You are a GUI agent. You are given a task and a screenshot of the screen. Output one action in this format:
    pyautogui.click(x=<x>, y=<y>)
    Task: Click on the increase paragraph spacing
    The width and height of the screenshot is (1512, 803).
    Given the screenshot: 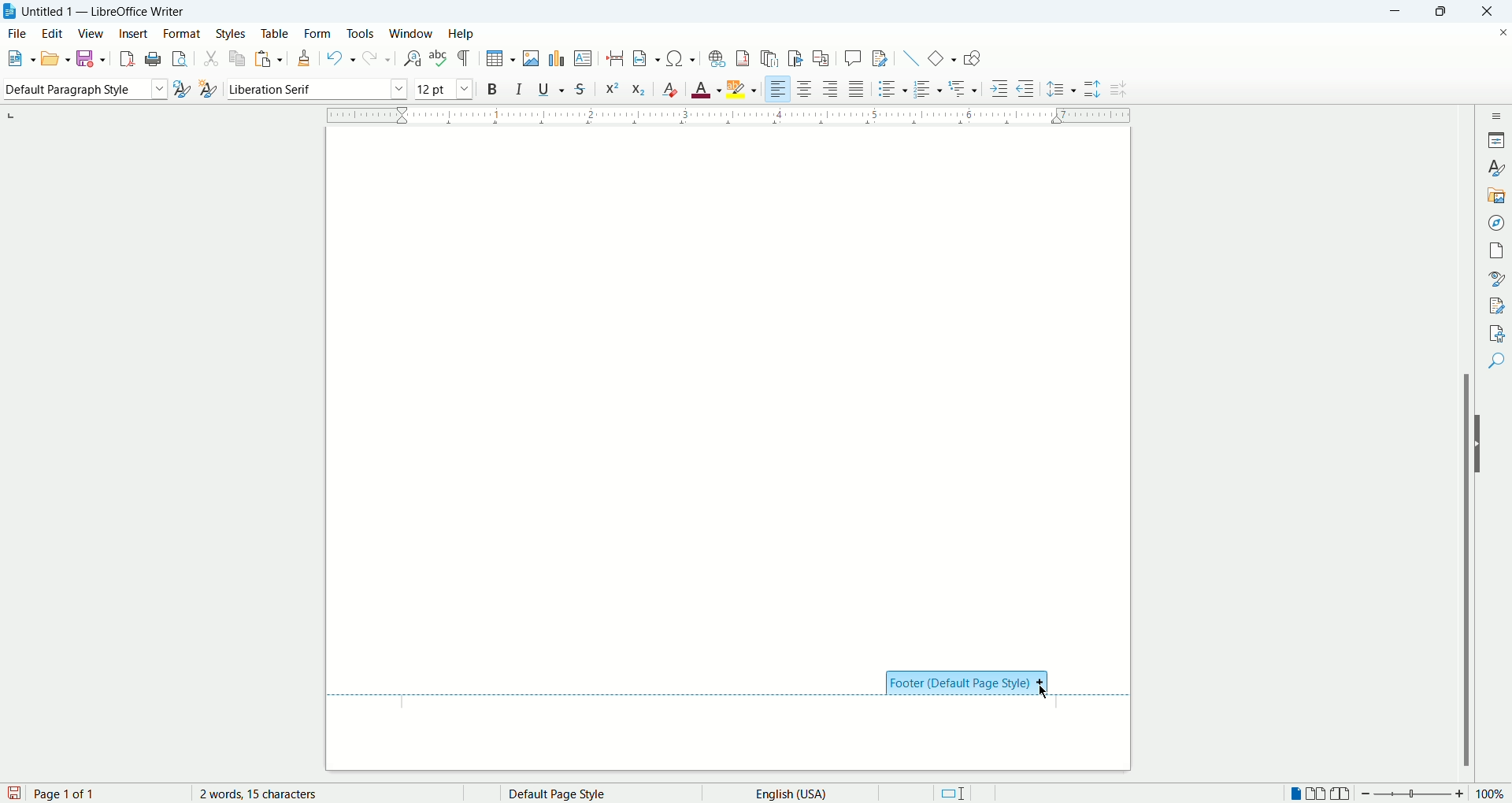 What is the action you would take?
    pyautogui.click(x=1092, y=90)
    